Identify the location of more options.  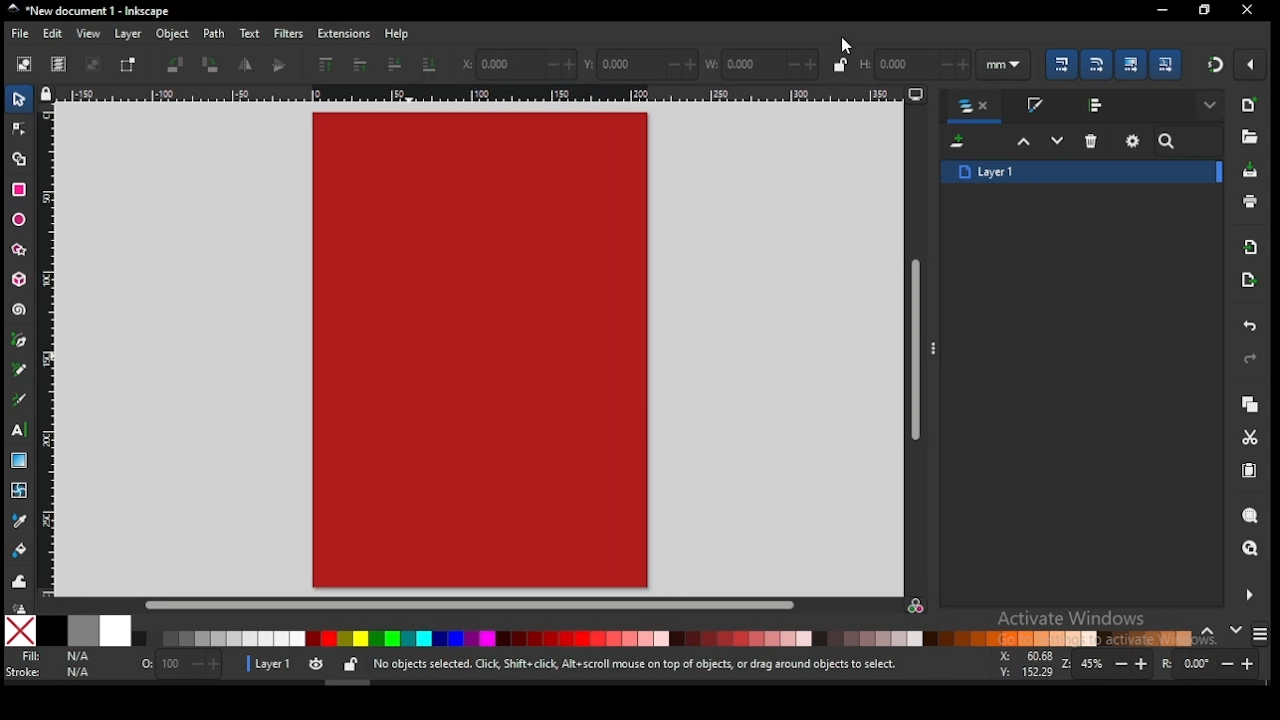
(936, 347).